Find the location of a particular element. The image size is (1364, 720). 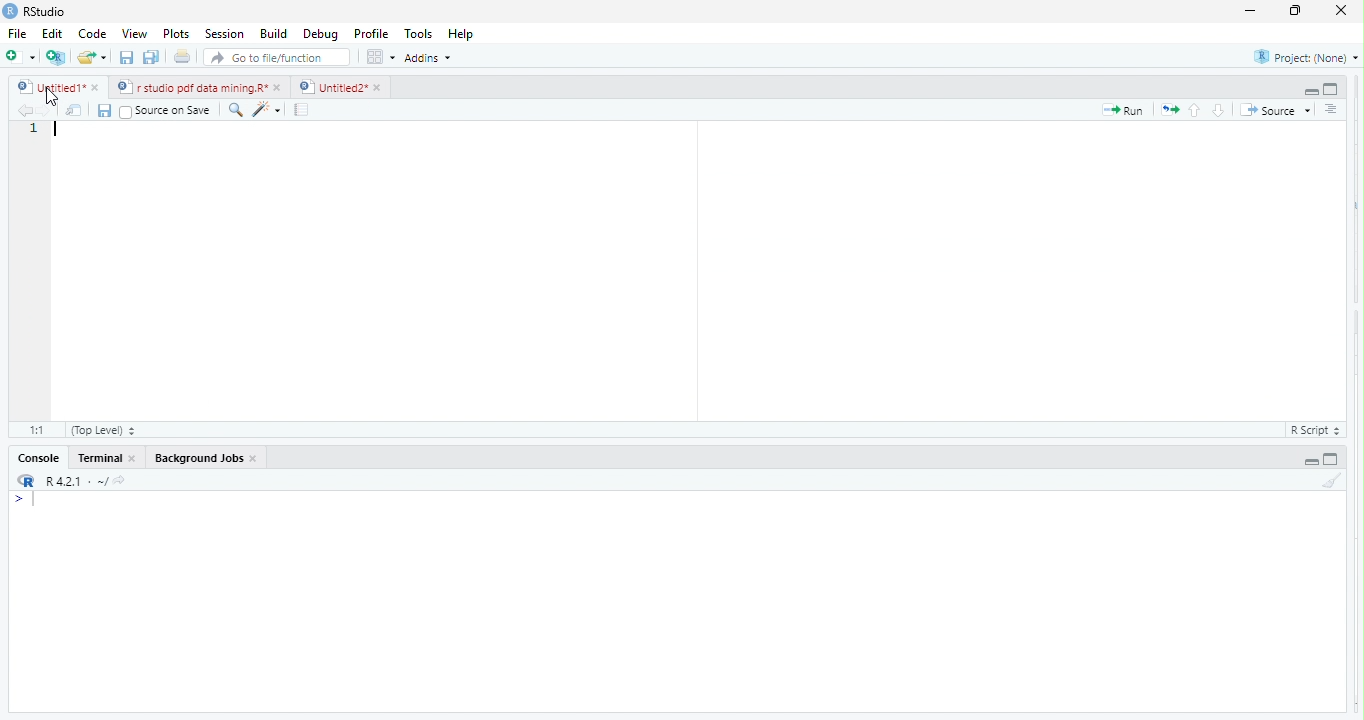

find/replace is located at coordinates (234, 109).